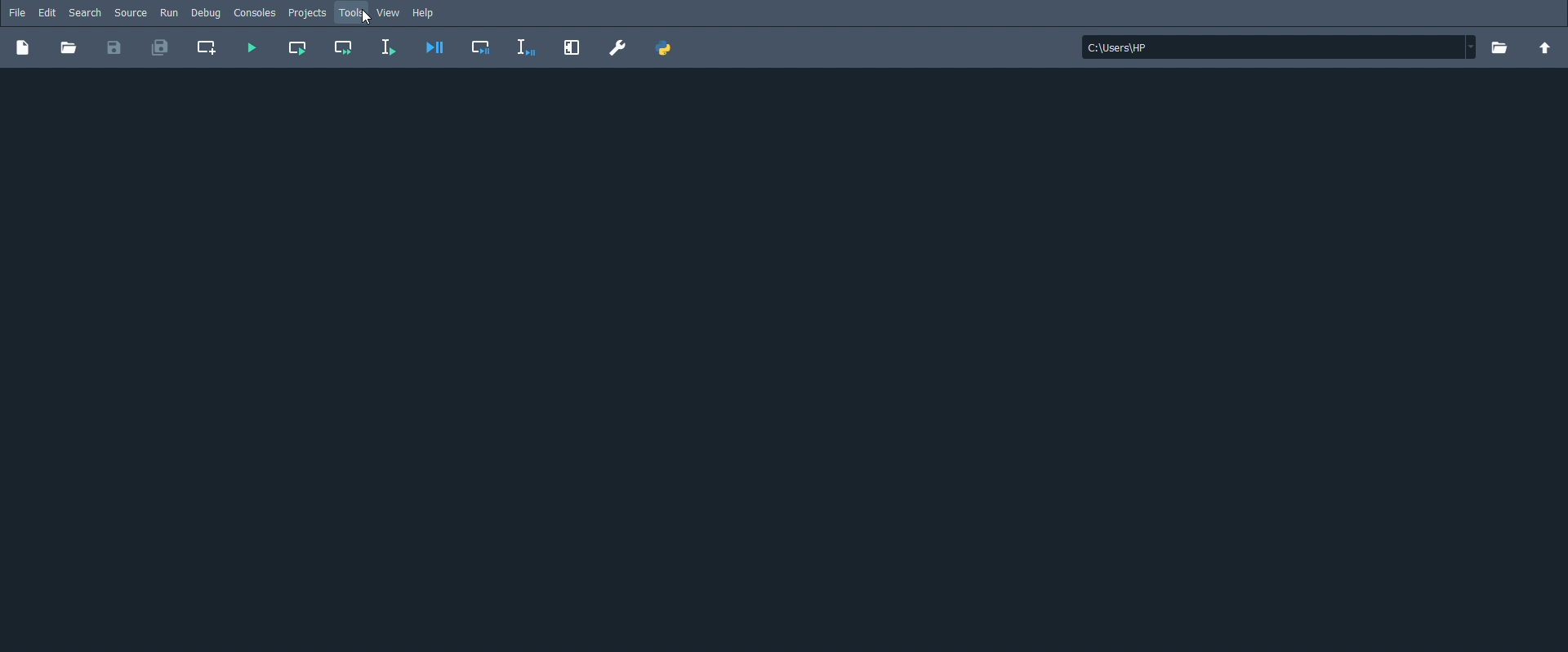 This screenshot has height=652, width=1568. I want to click on PYTHONPATH manager, so click(664, 49).